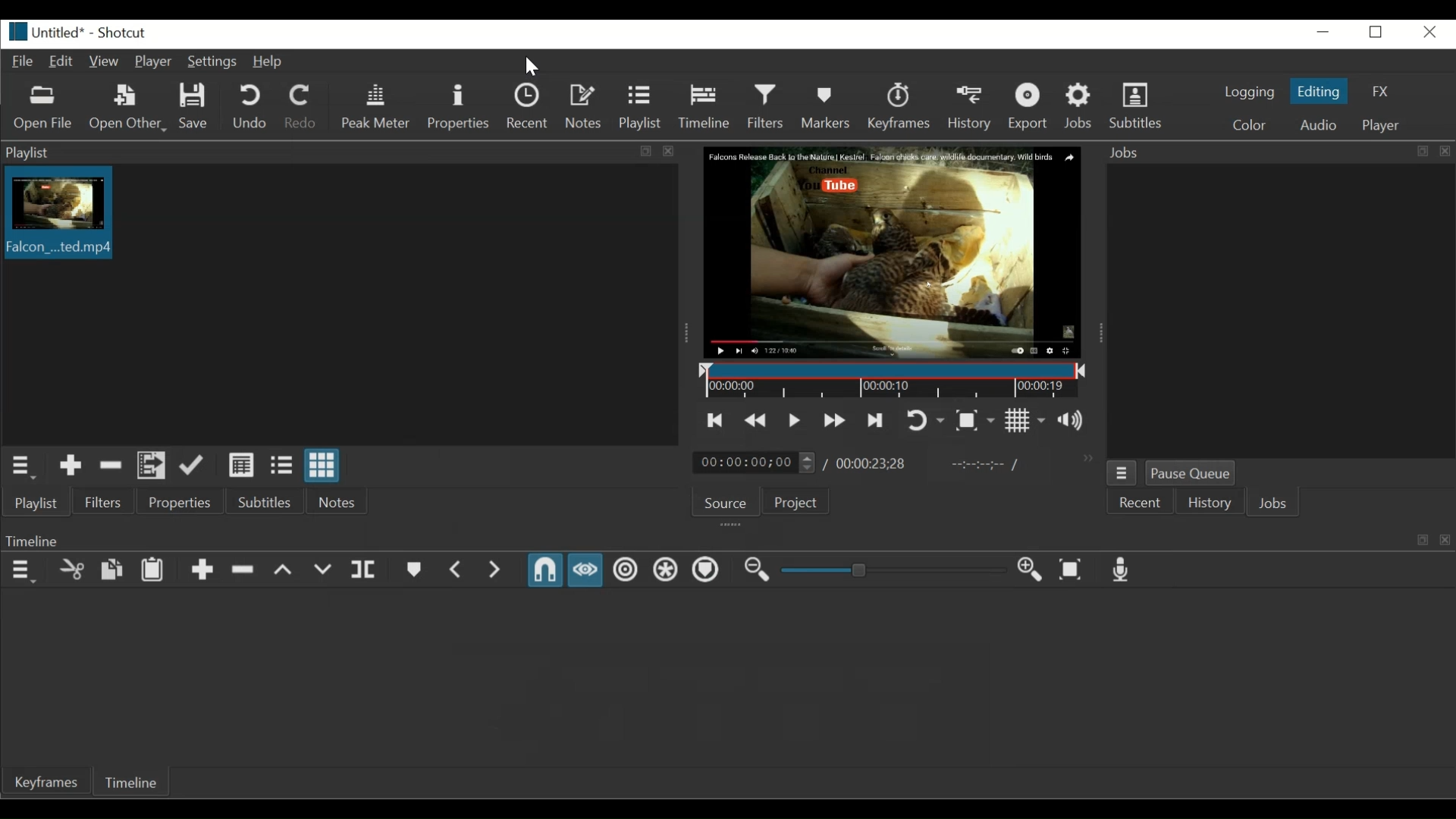 This screenshot has width=1456, height=819. I want to click on Add to the playlist, so click(70, 467).